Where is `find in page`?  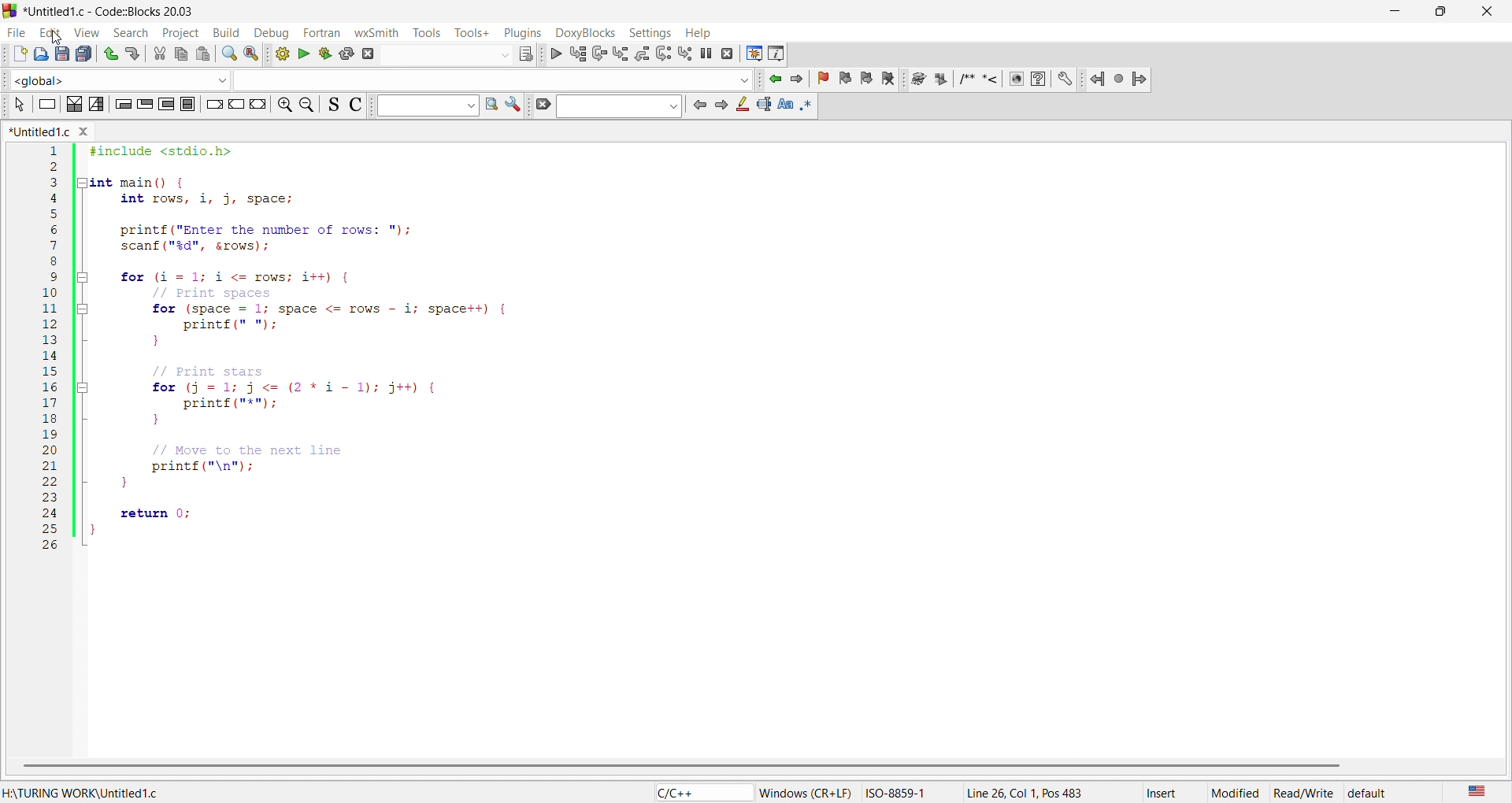
find in page is located at coordinates (490, 107).